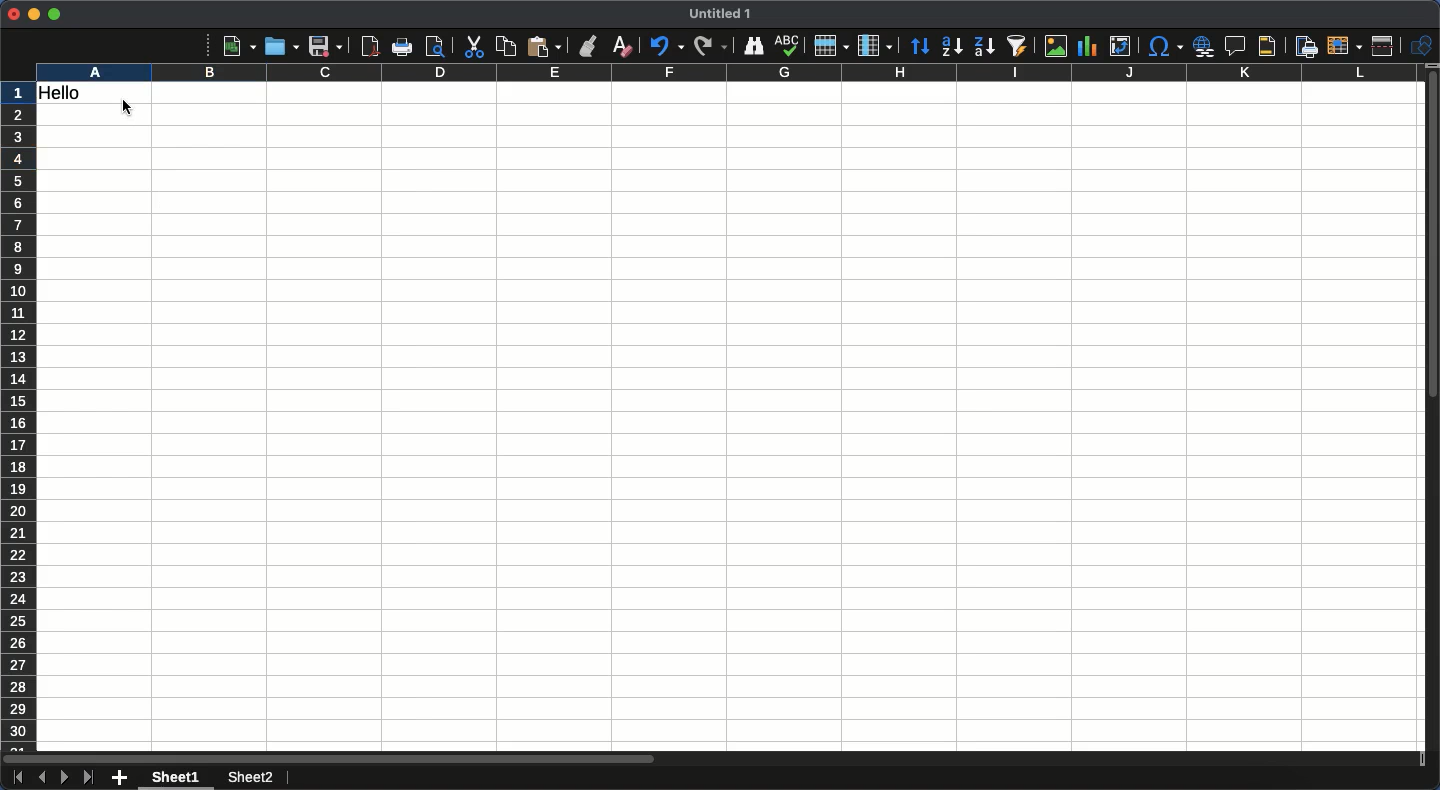 The image size is (1440, 790). What do you see at coordinates (34, 15) in the screenshot?
I see `Minimize` at bounding box center [34, 15].